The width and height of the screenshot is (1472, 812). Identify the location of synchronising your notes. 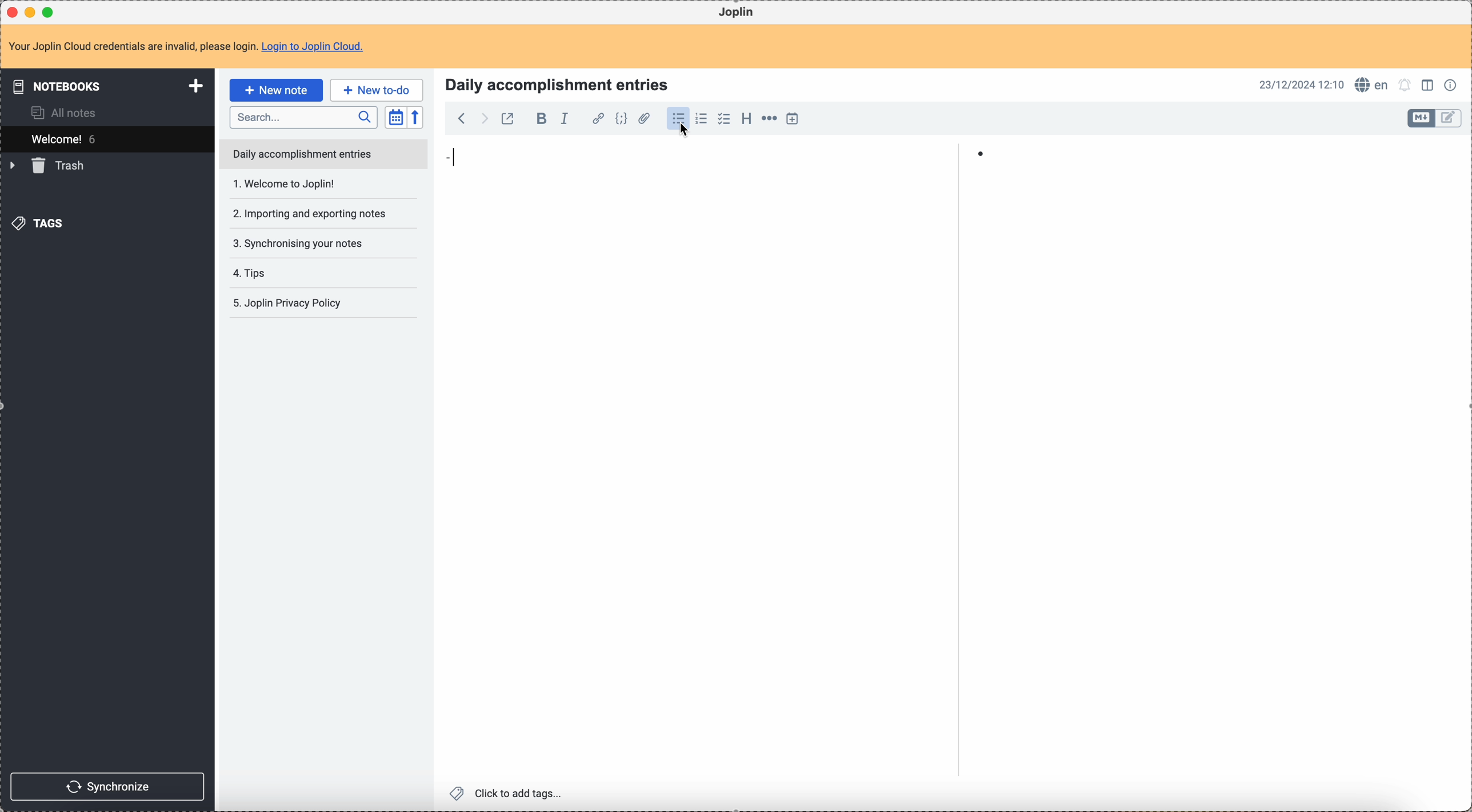
(303, 214).